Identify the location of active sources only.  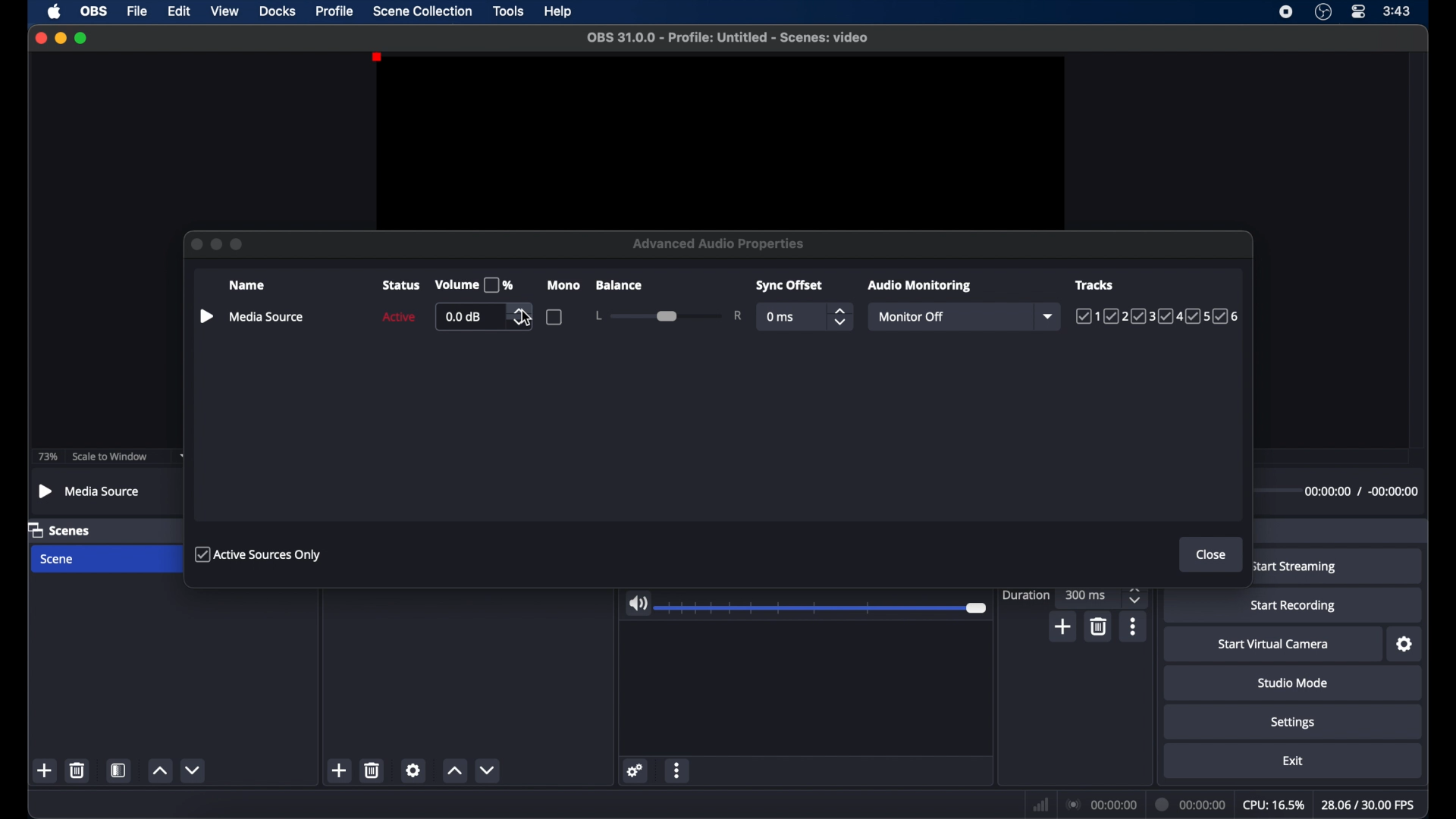
(259, 554).